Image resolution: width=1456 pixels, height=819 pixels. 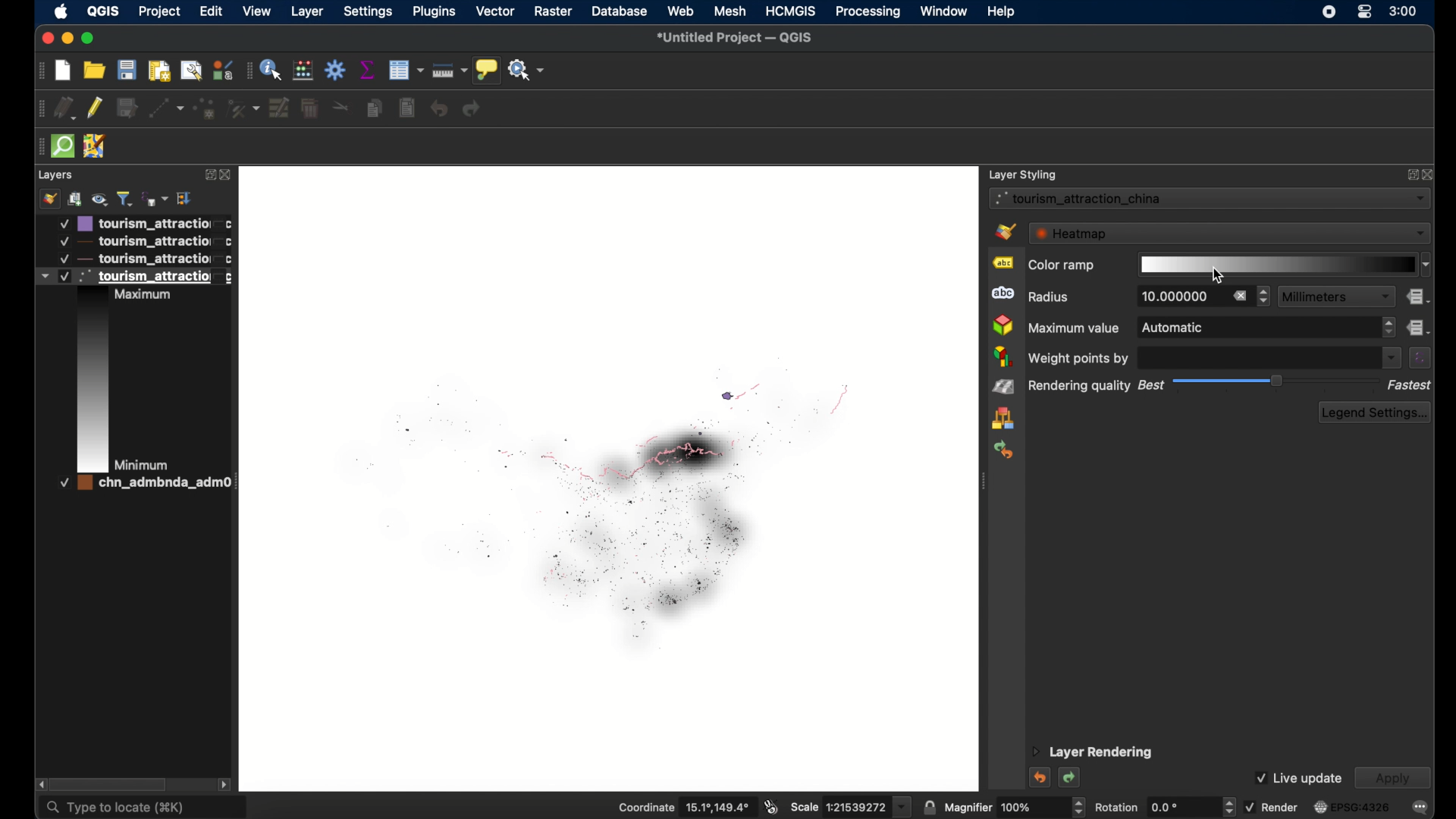 I want to click on layer 1, so click(x=145, y=223).